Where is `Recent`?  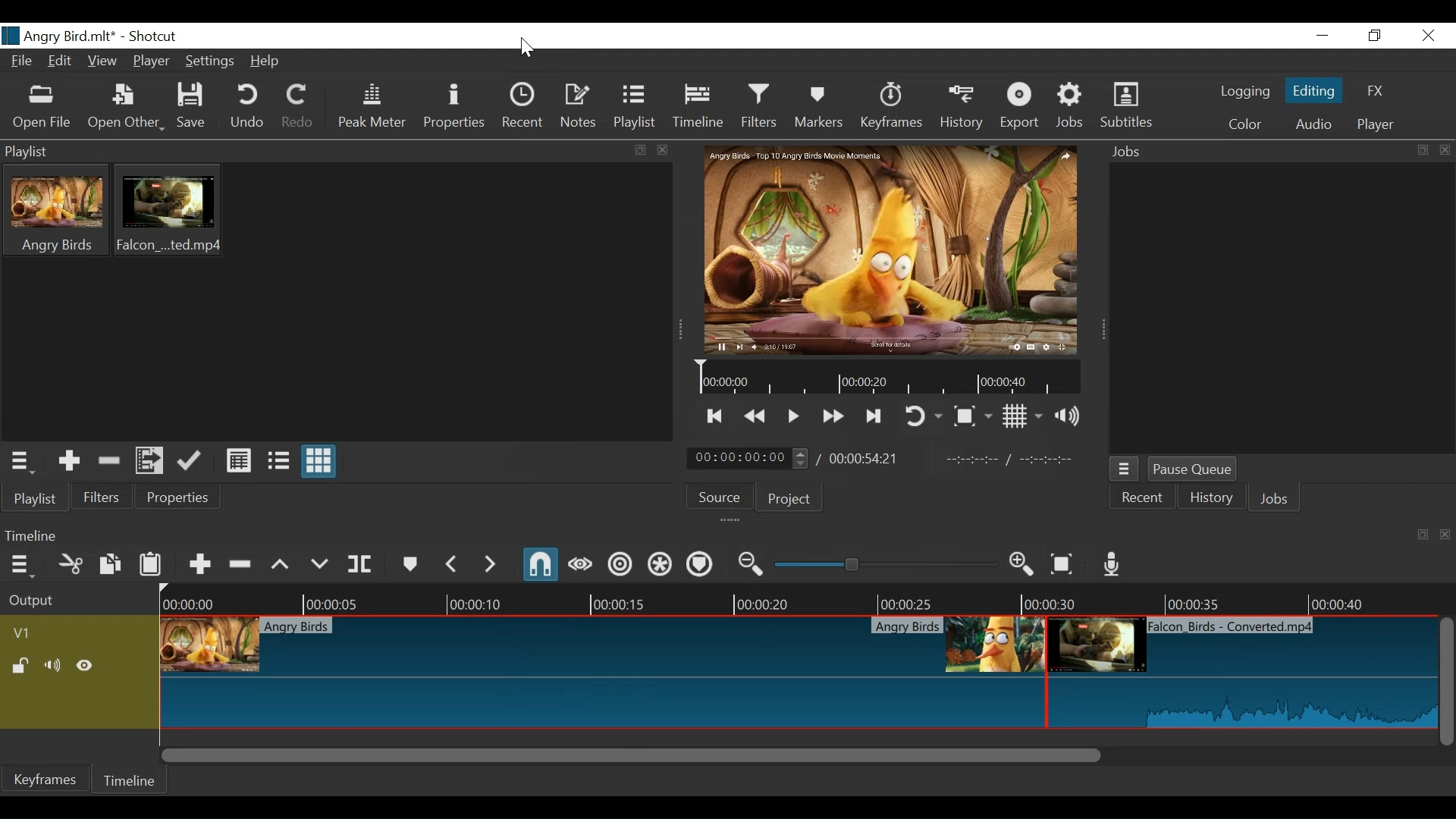
Recent is located at coordinates (524, 106).